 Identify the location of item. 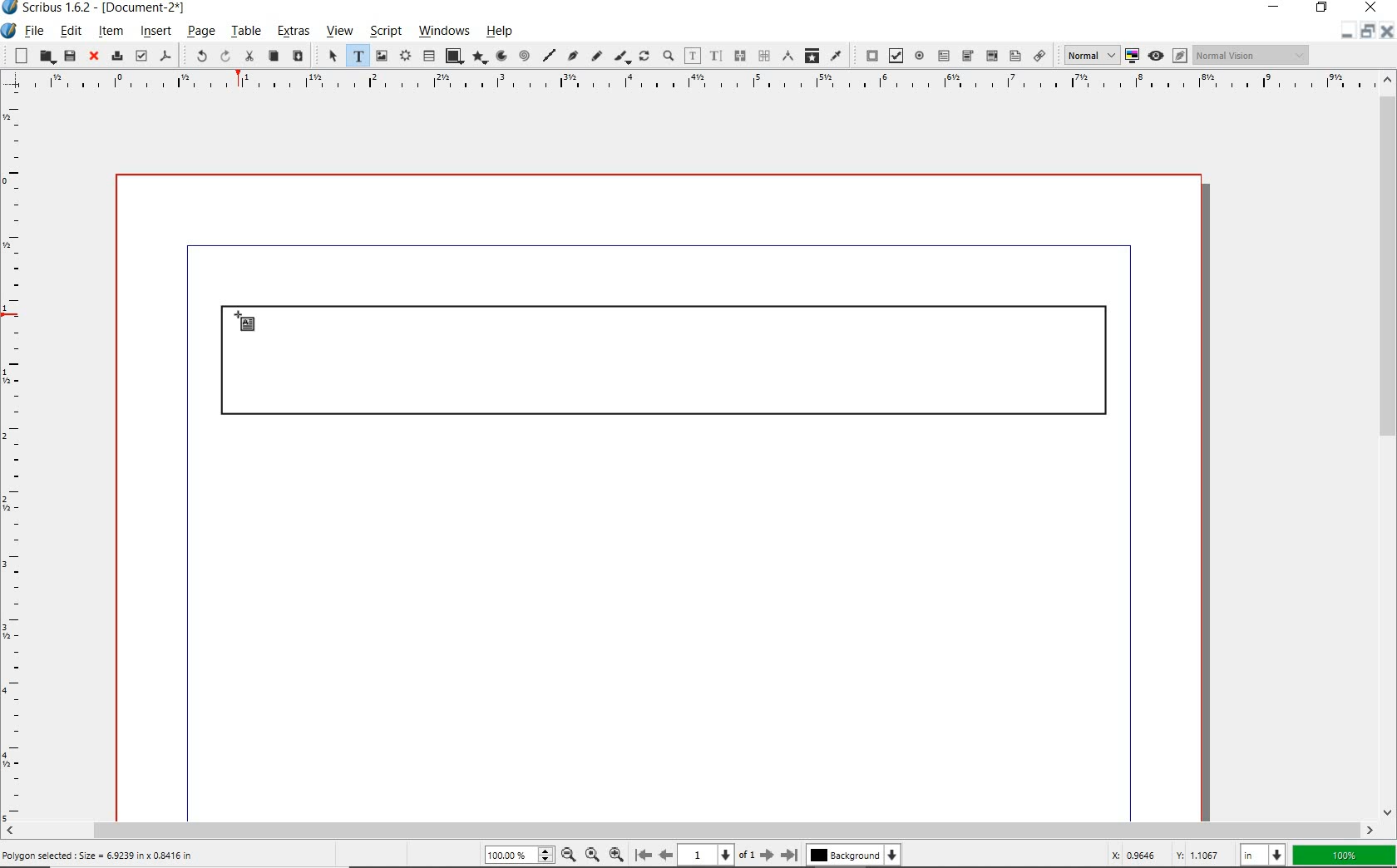
(111, 32).